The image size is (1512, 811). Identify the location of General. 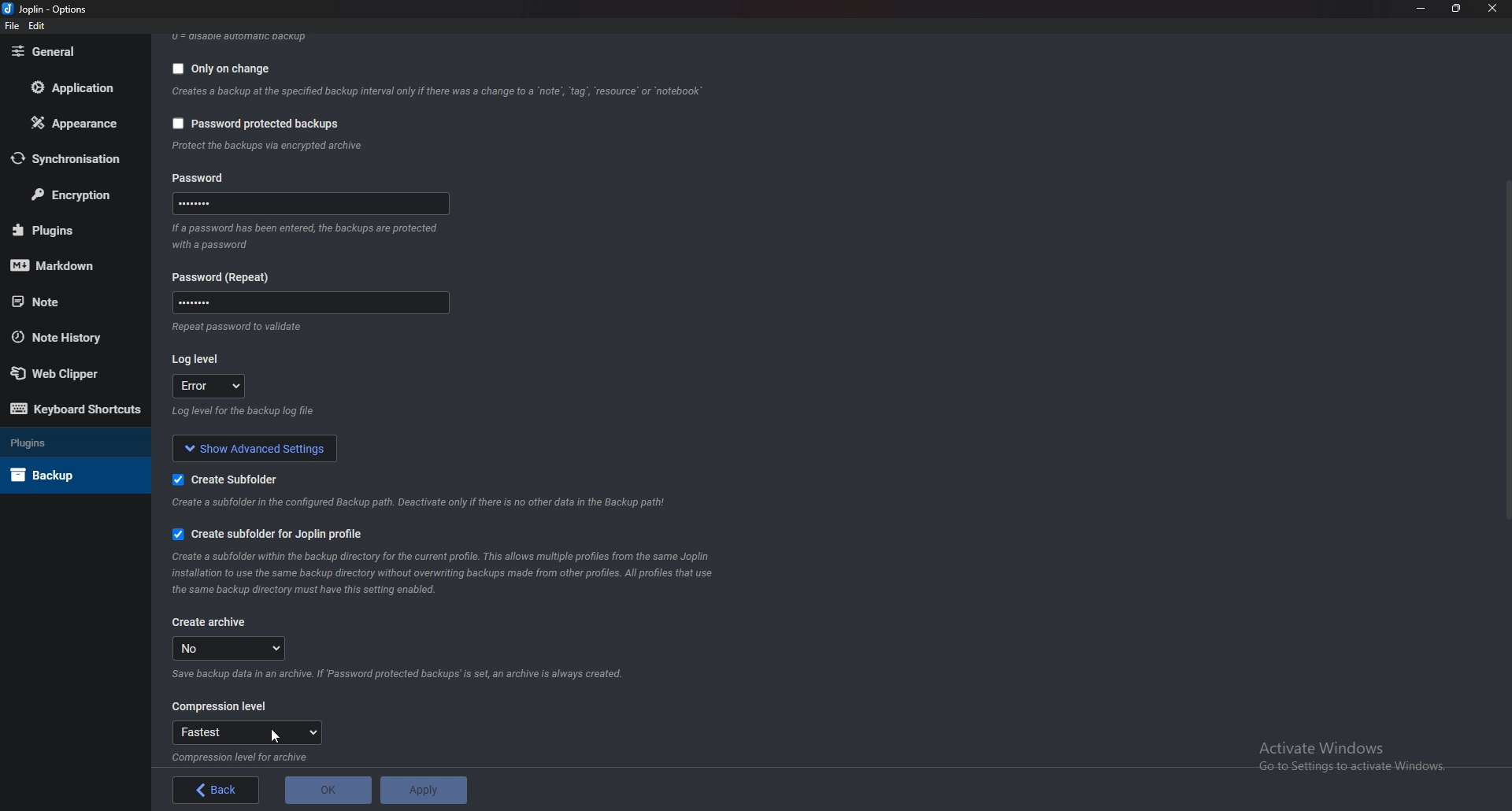
(69, 52).